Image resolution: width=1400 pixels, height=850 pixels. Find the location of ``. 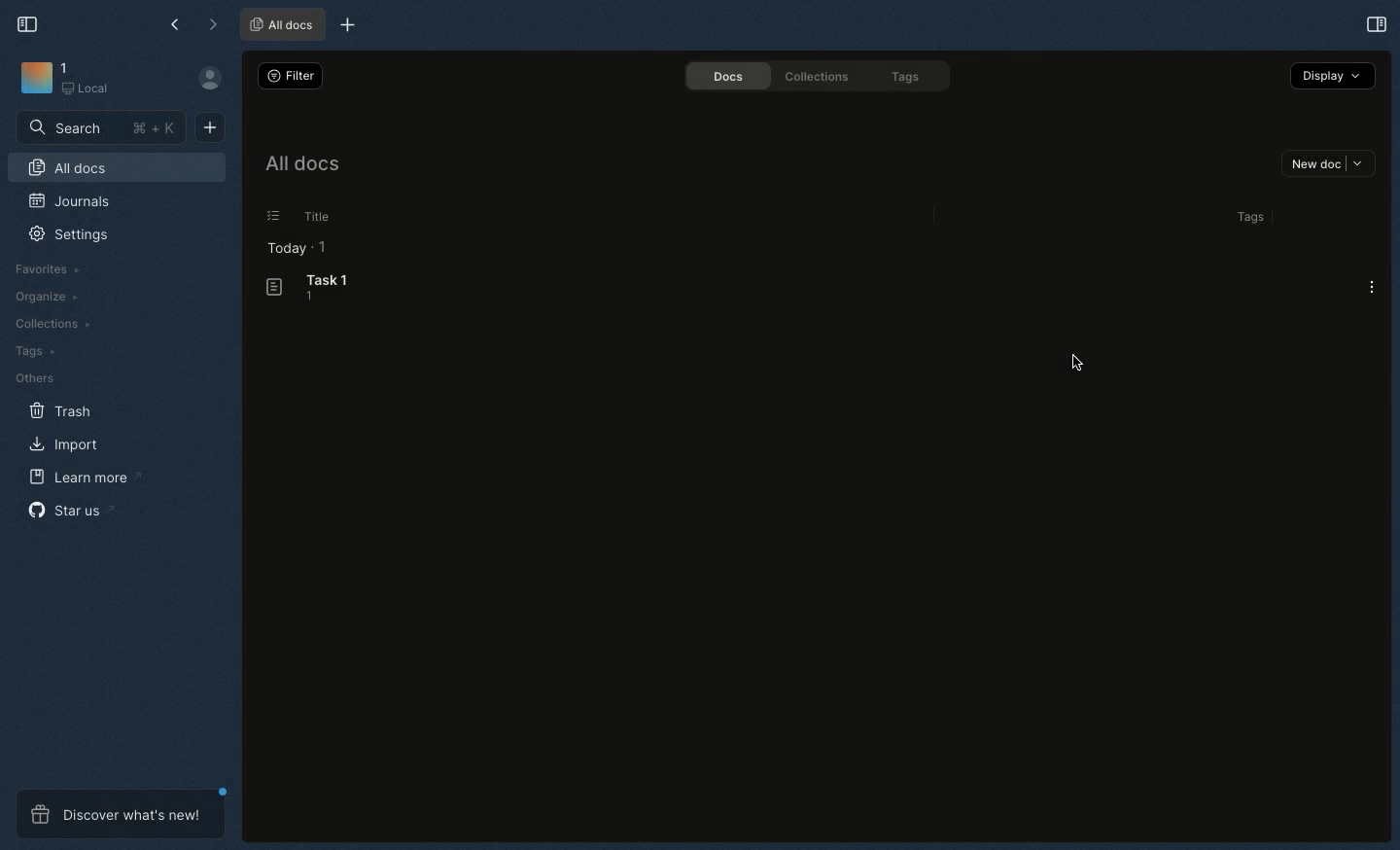

 is located at coordinates (273, 215).